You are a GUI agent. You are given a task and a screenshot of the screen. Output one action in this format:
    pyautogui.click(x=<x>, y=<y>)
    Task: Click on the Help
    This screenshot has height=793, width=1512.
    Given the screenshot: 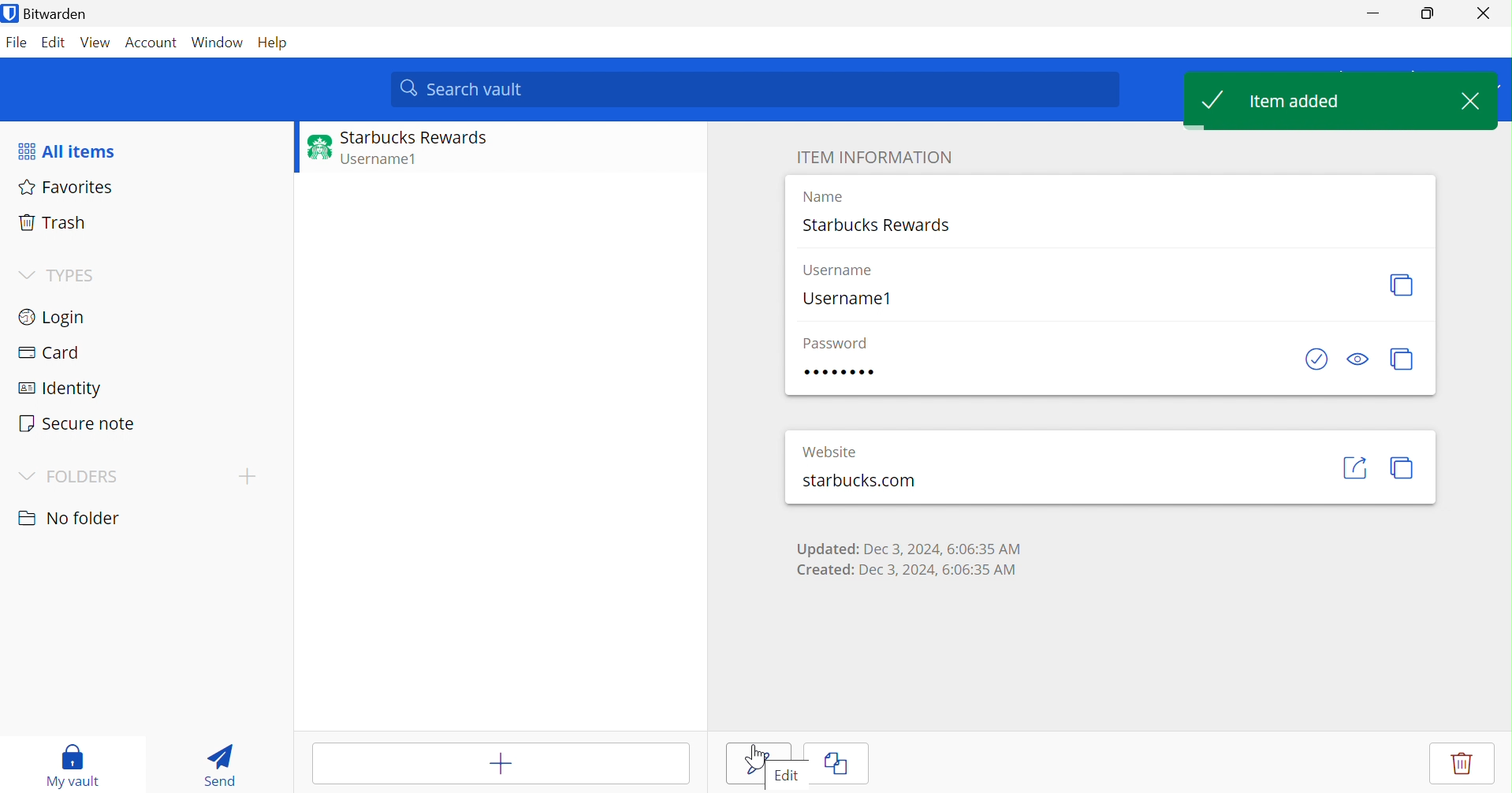 What is the action you would take?
    pyautogui.click(x=279, y=43)
    